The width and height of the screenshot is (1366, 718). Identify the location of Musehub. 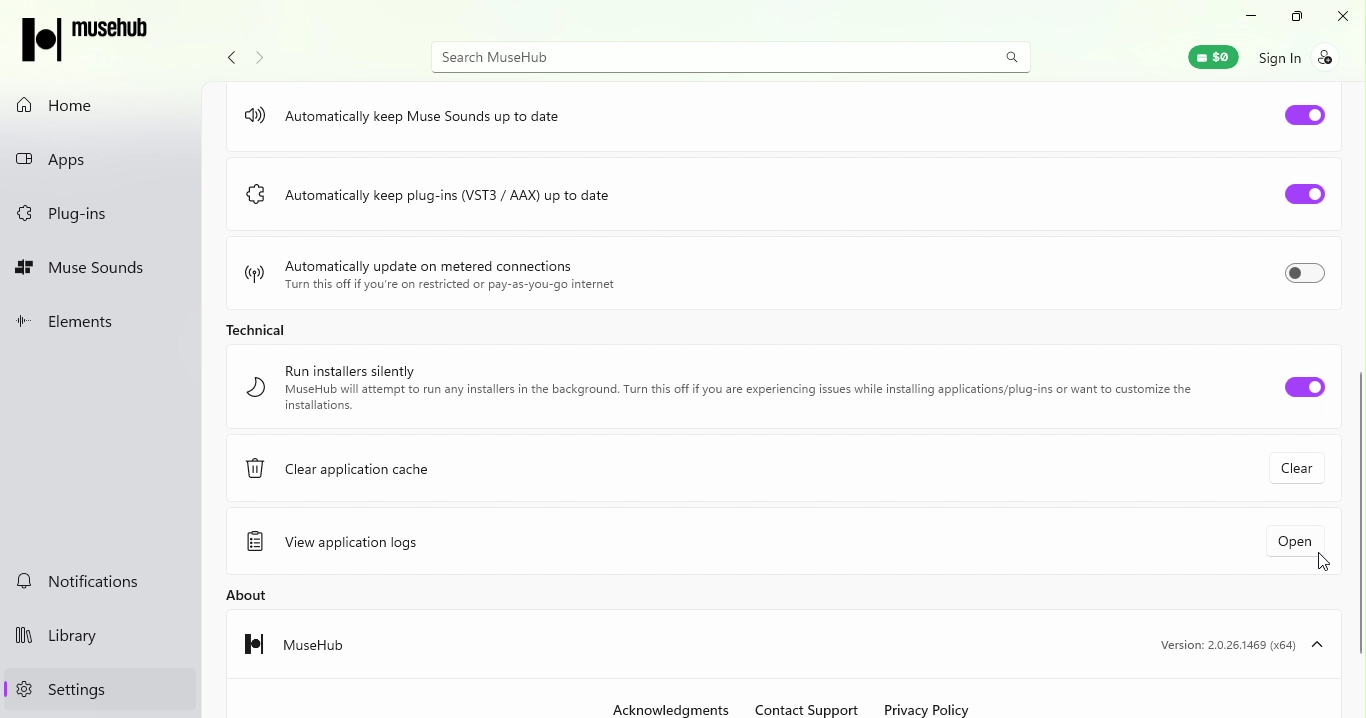
(301, 642).